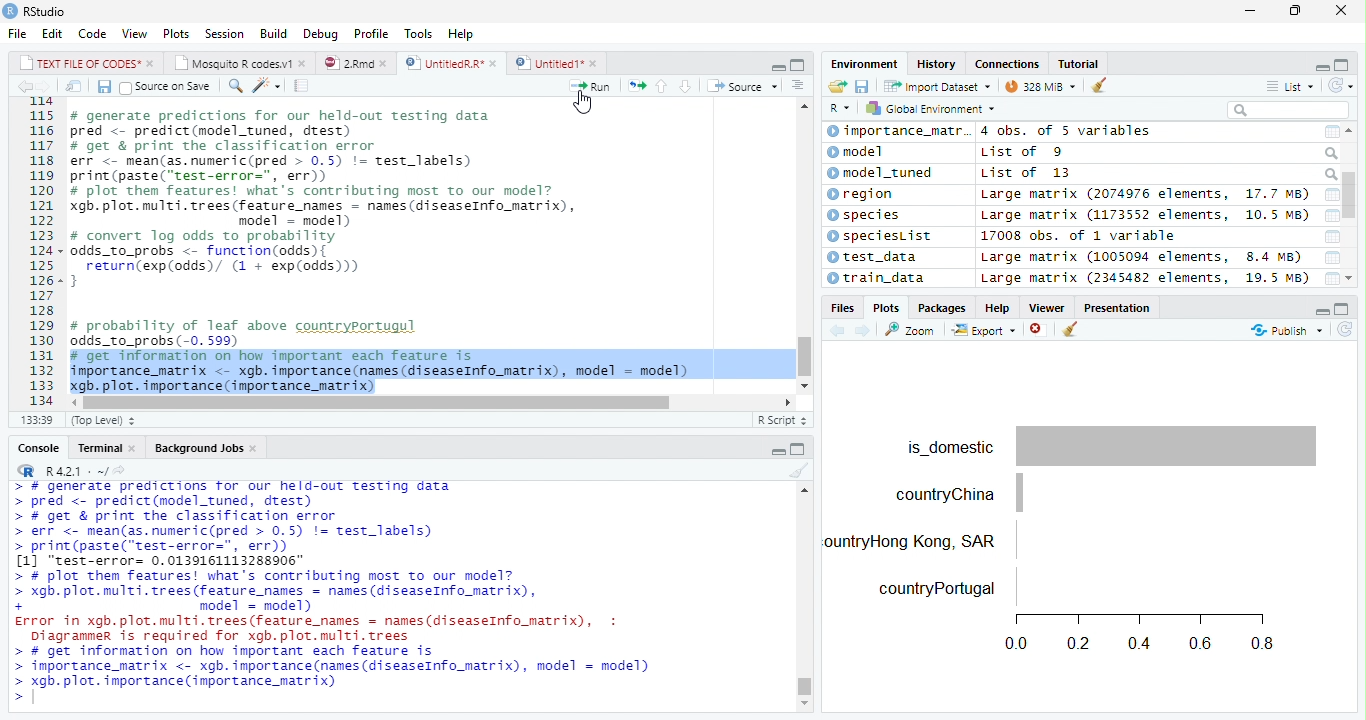 The width and height of the screenshot is (1366, 720). I want to click on Packages, so click(942, 308).